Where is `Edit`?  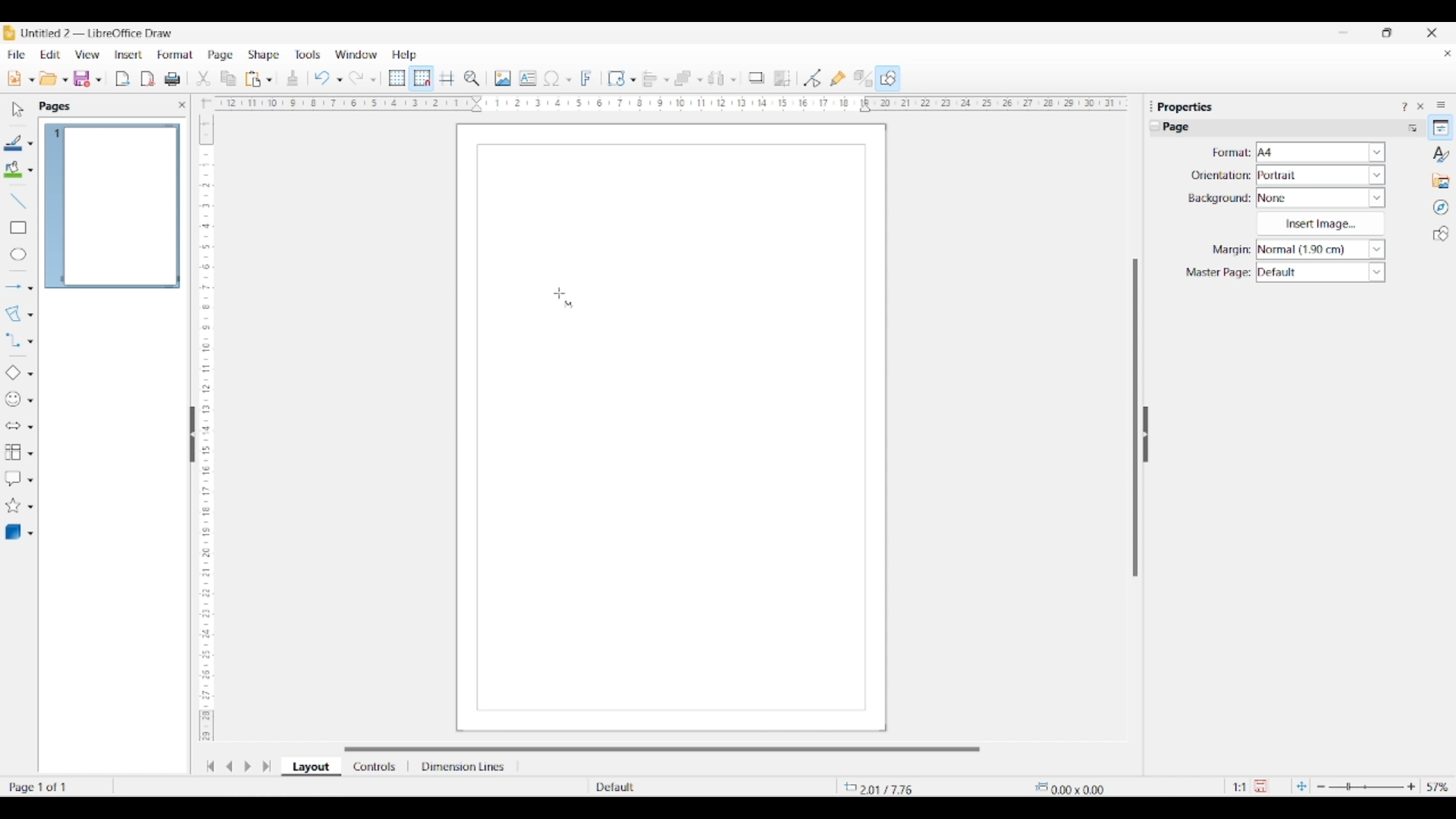 Edit is located at coordinates (50, 55).